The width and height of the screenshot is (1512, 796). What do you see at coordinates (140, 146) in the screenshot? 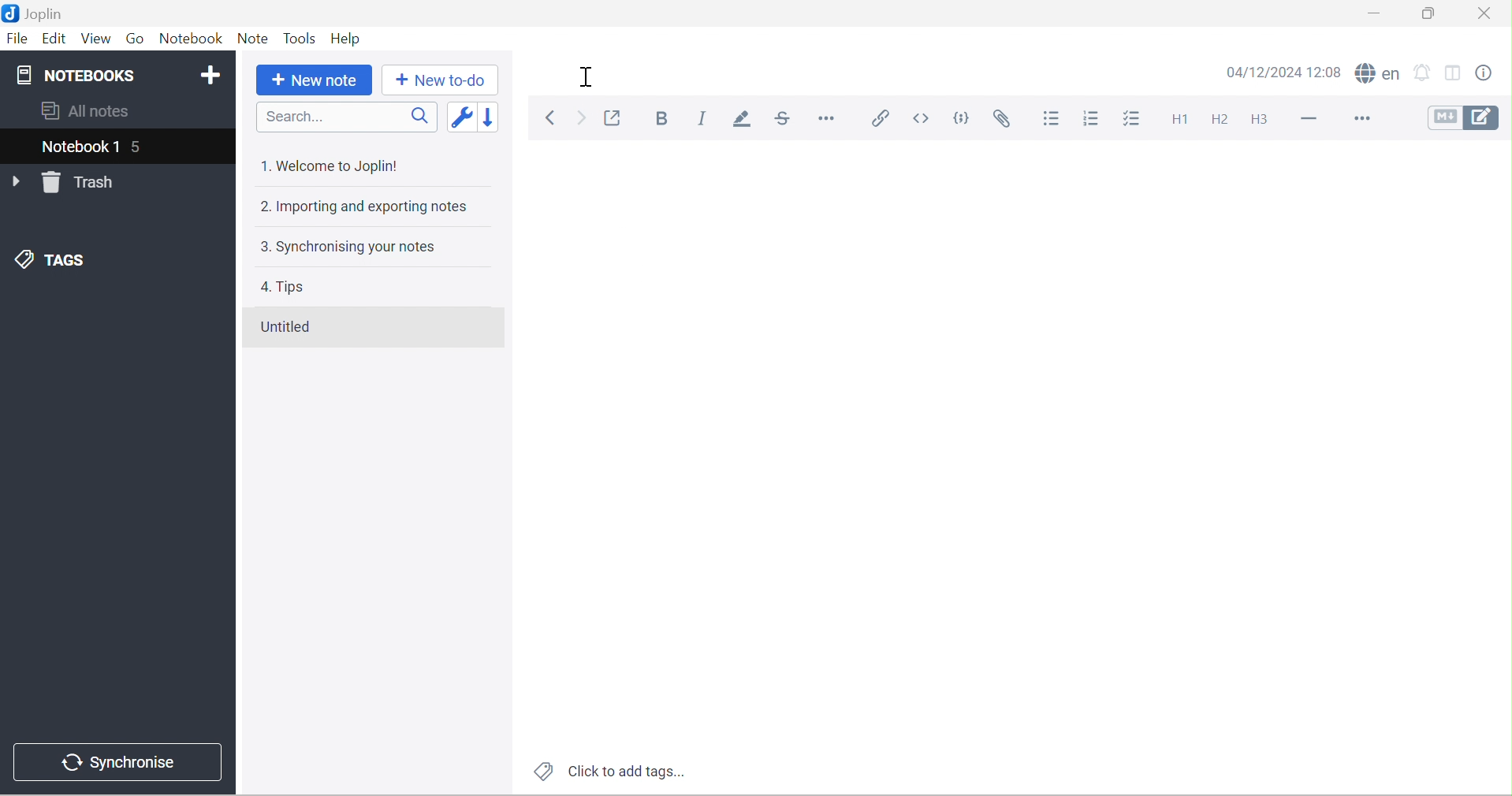
I see `5` at bounding box center [140, 146].